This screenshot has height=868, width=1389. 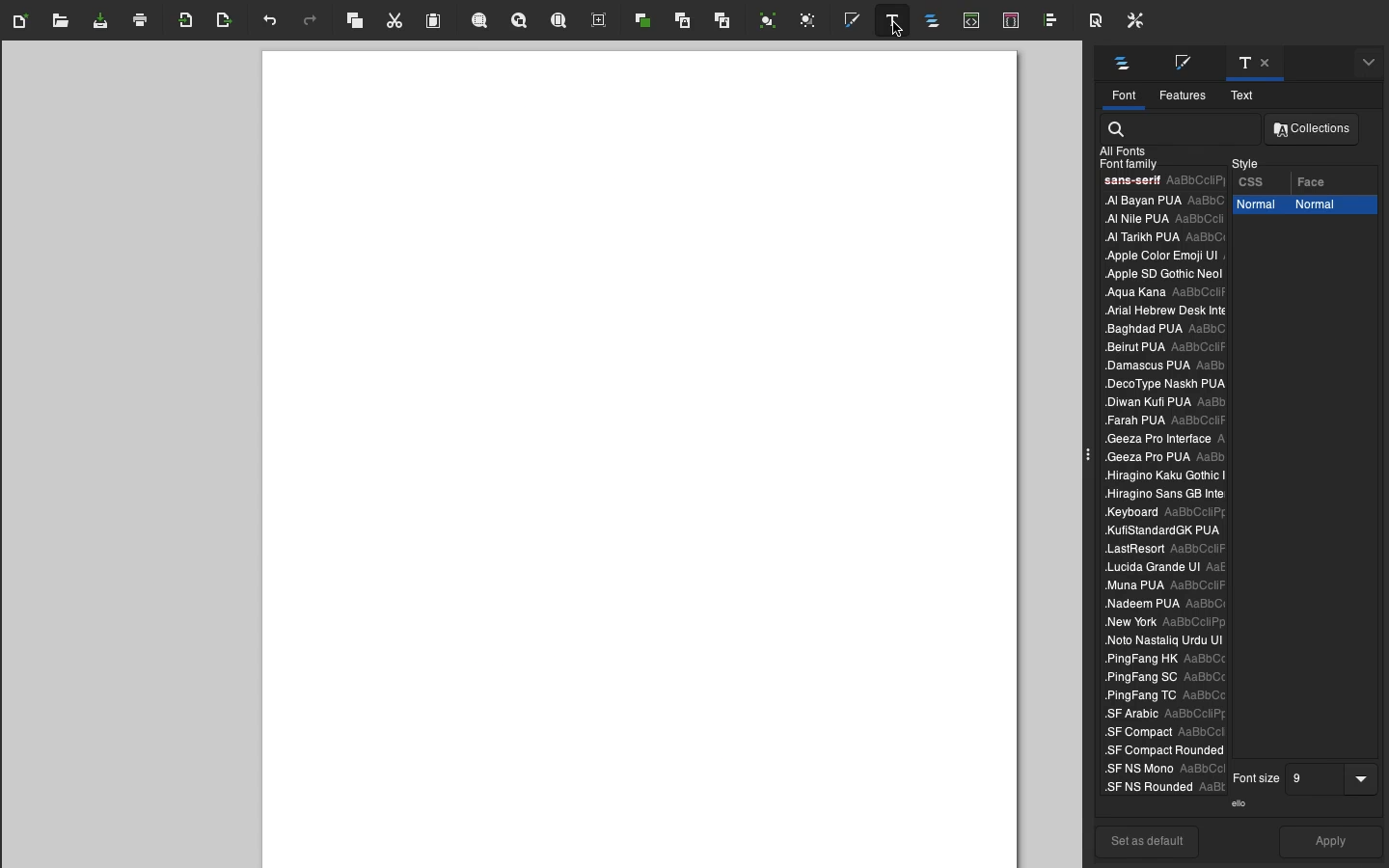 What do you see at coordinates (1123, 64) in the screenshot?
I see `Options` at bounding box center [1123, 64].